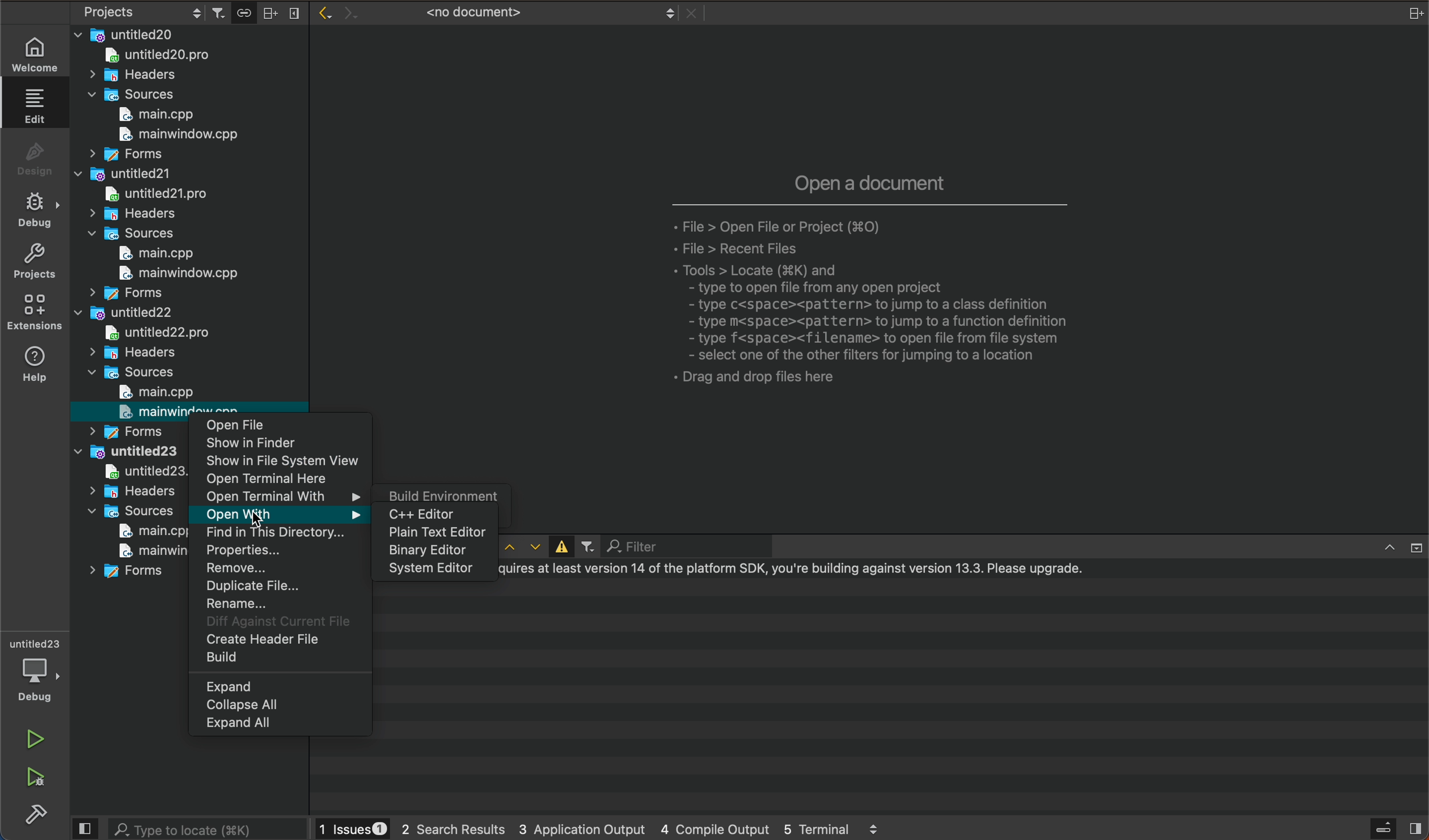 The image size is (1429, 840). I want to click on description, so click(869, 282).